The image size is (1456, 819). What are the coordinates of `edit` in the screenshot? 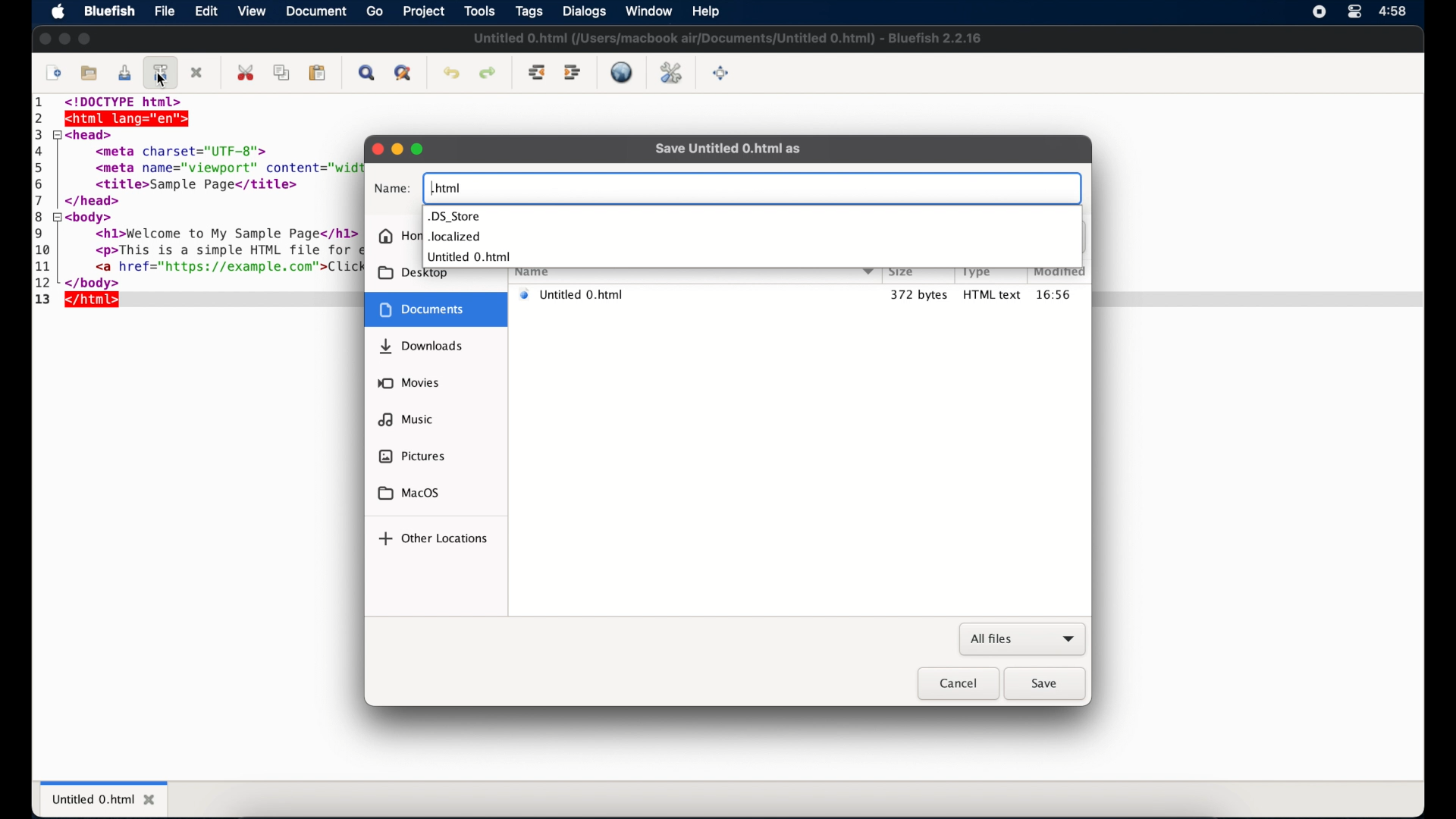 It's located at (207, 11).